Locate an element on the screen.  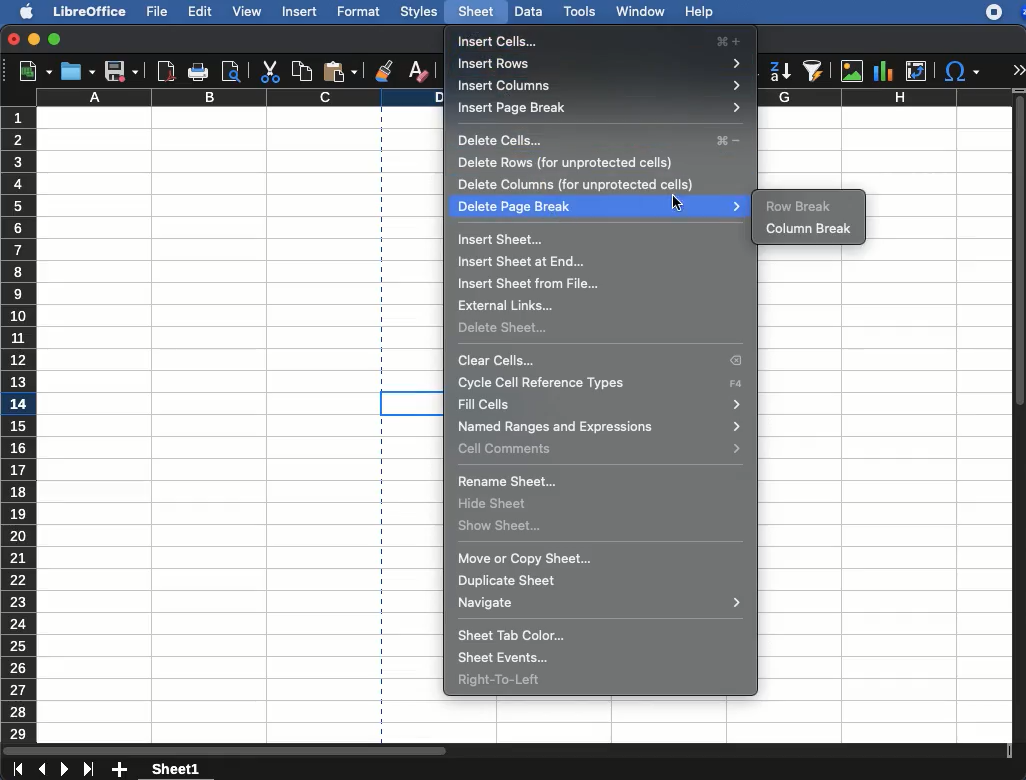
data is located at coordinates (526, 11).